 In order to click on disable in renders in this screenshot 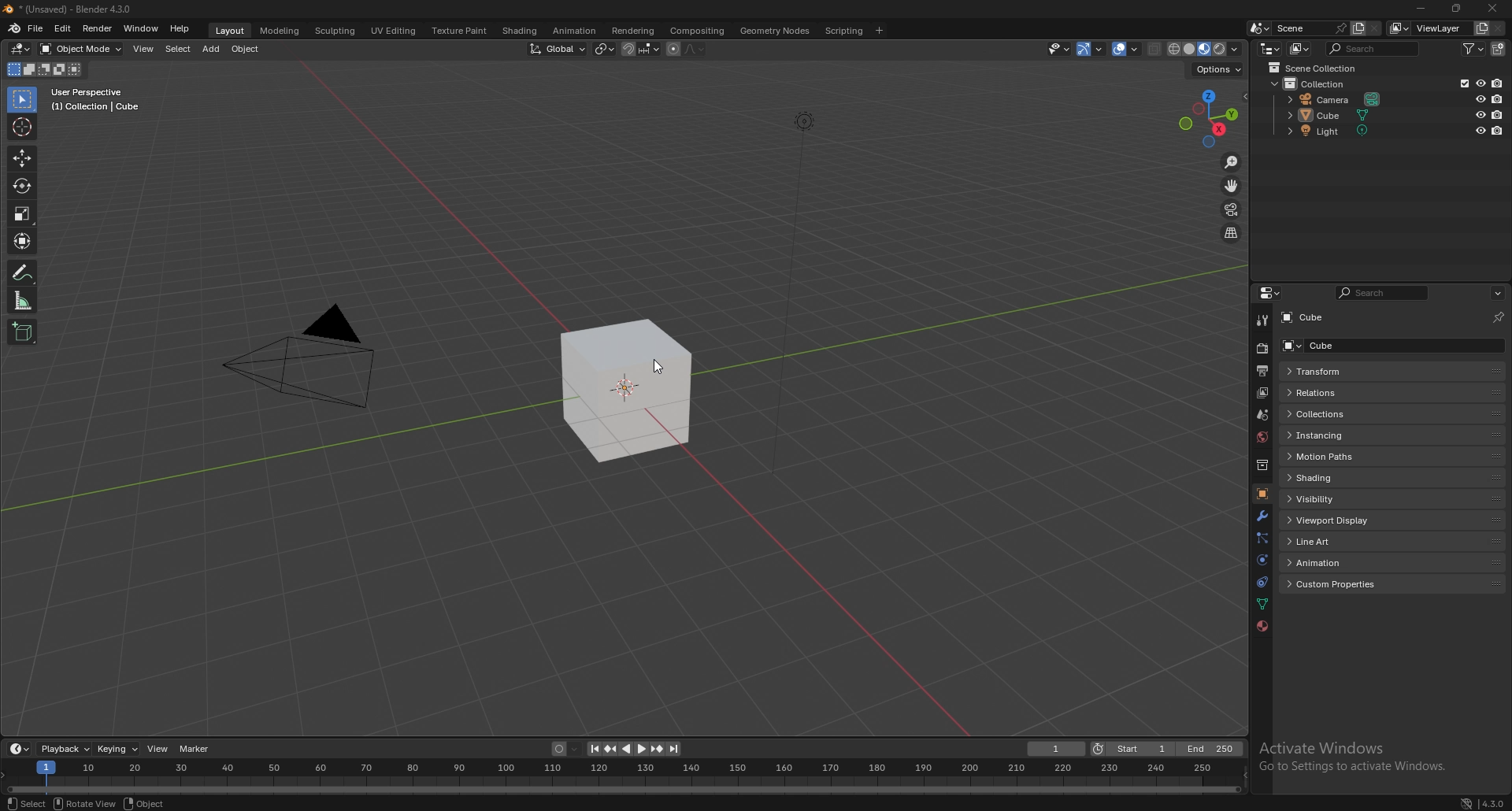, I will do `click(1498, 114)`.